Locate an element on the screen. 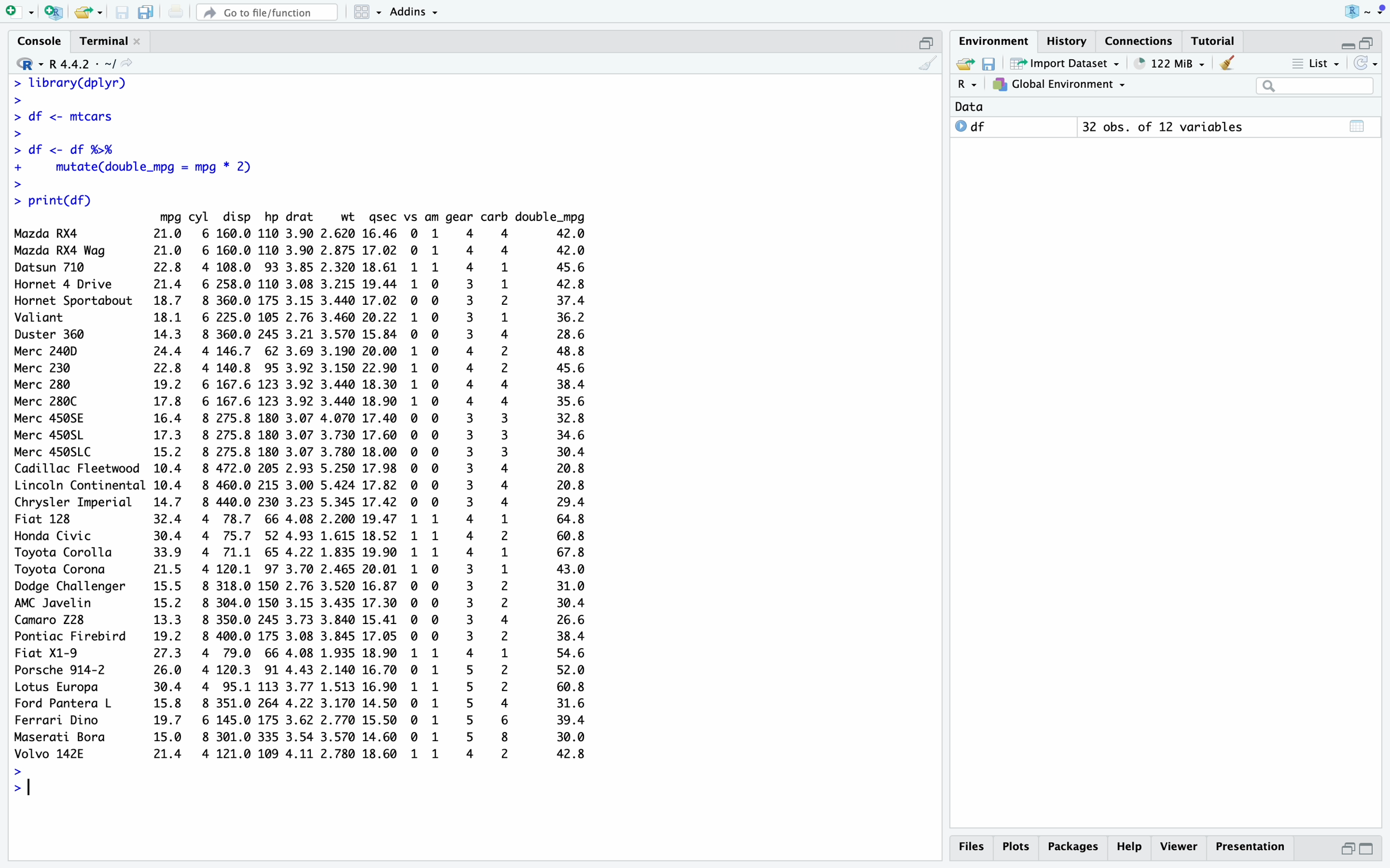 This screenshot has height=868, width=1390. Collapse/expand is located at coordinates (1346, 46).